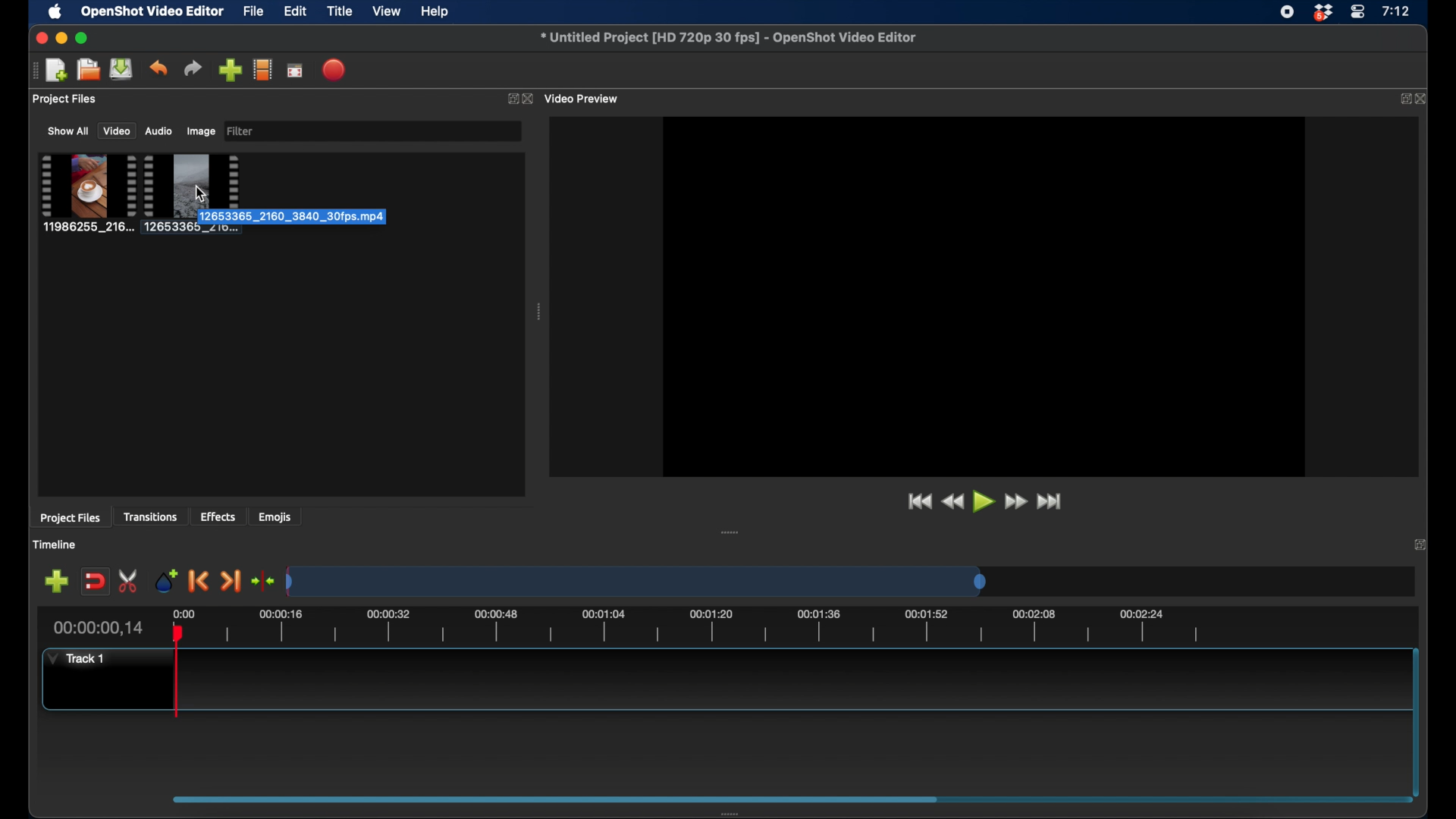 Image resolution: width=1456 pixels, height=819 pixels. I want to click on save project, so click(121, 69).